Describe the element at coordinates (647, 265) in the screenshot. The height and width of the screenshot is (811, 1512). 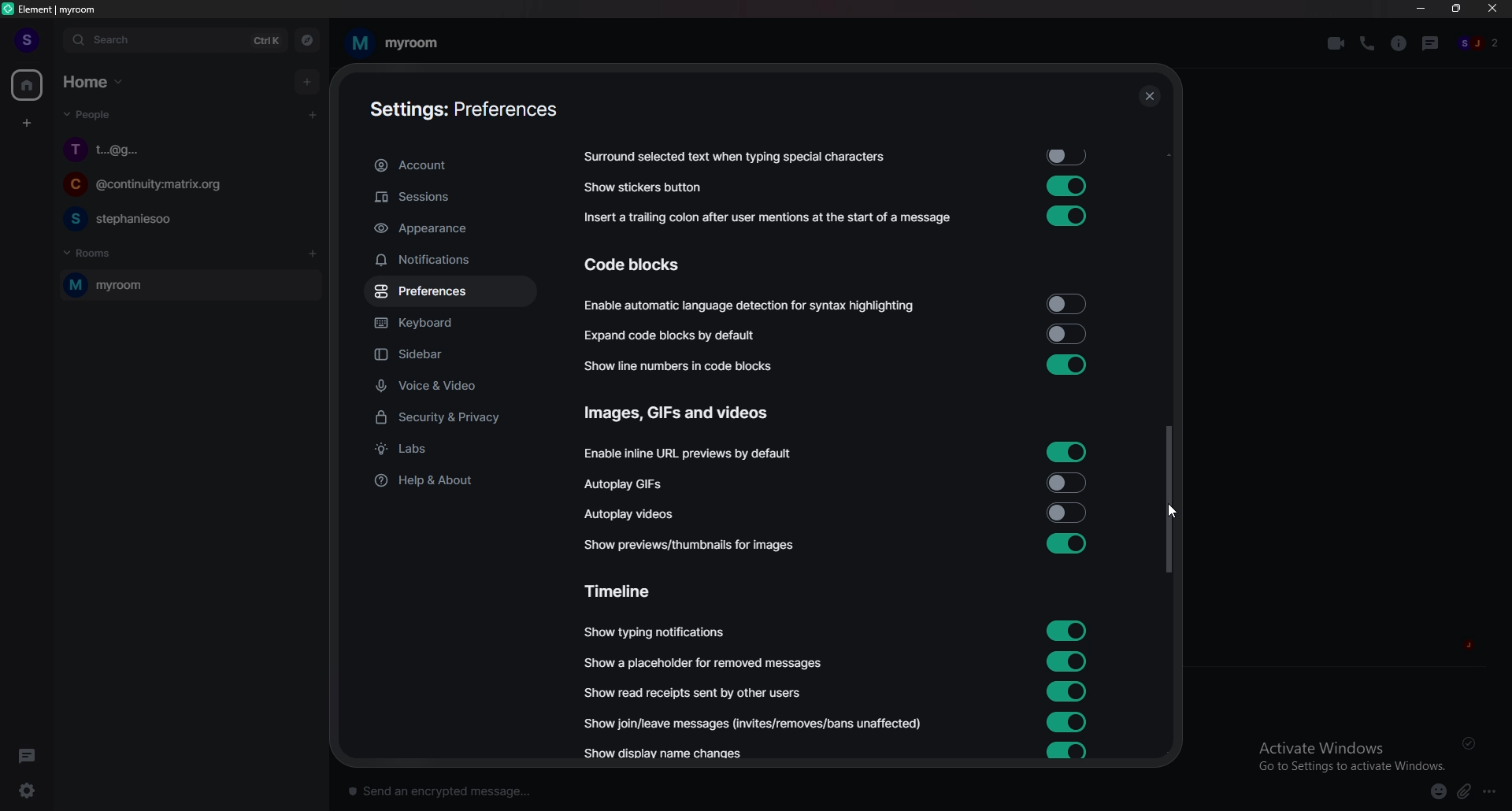
I see `code blocks` at that location.